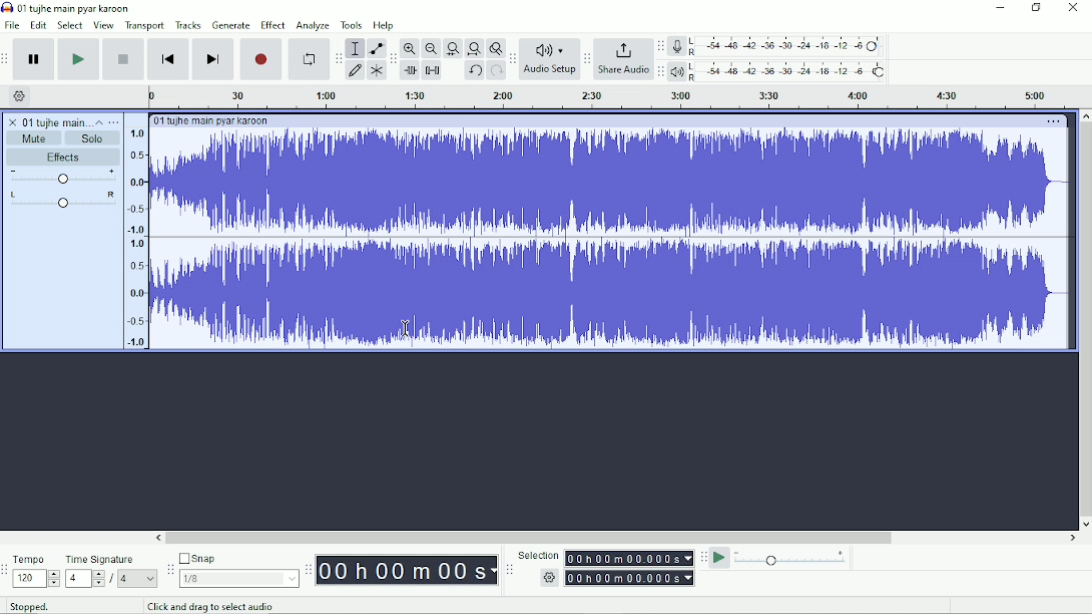 The width and height of the screenshot is (1092, 614). Describe the element at coordinates (232, 26) in the screenshot. I see `Generate` at that location.